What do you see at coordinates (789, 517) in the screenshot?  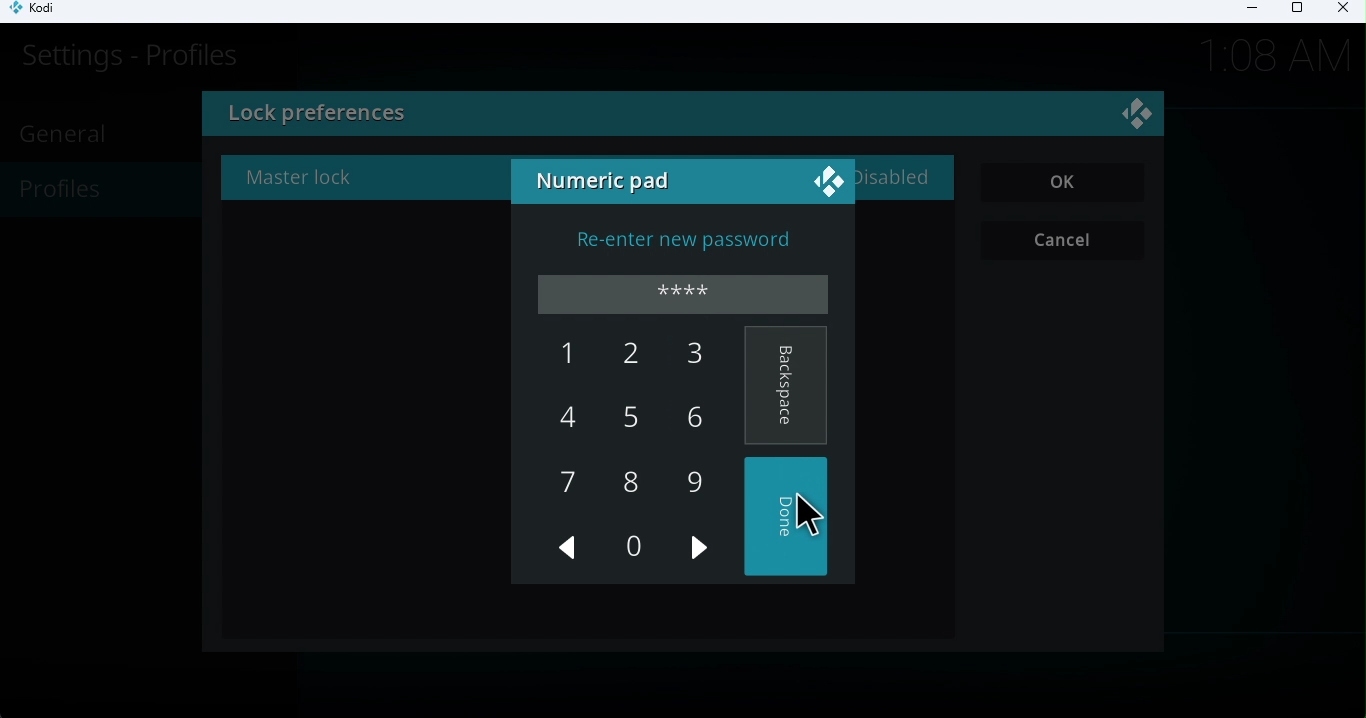 I see `Done` at bounding box center [789, 517].